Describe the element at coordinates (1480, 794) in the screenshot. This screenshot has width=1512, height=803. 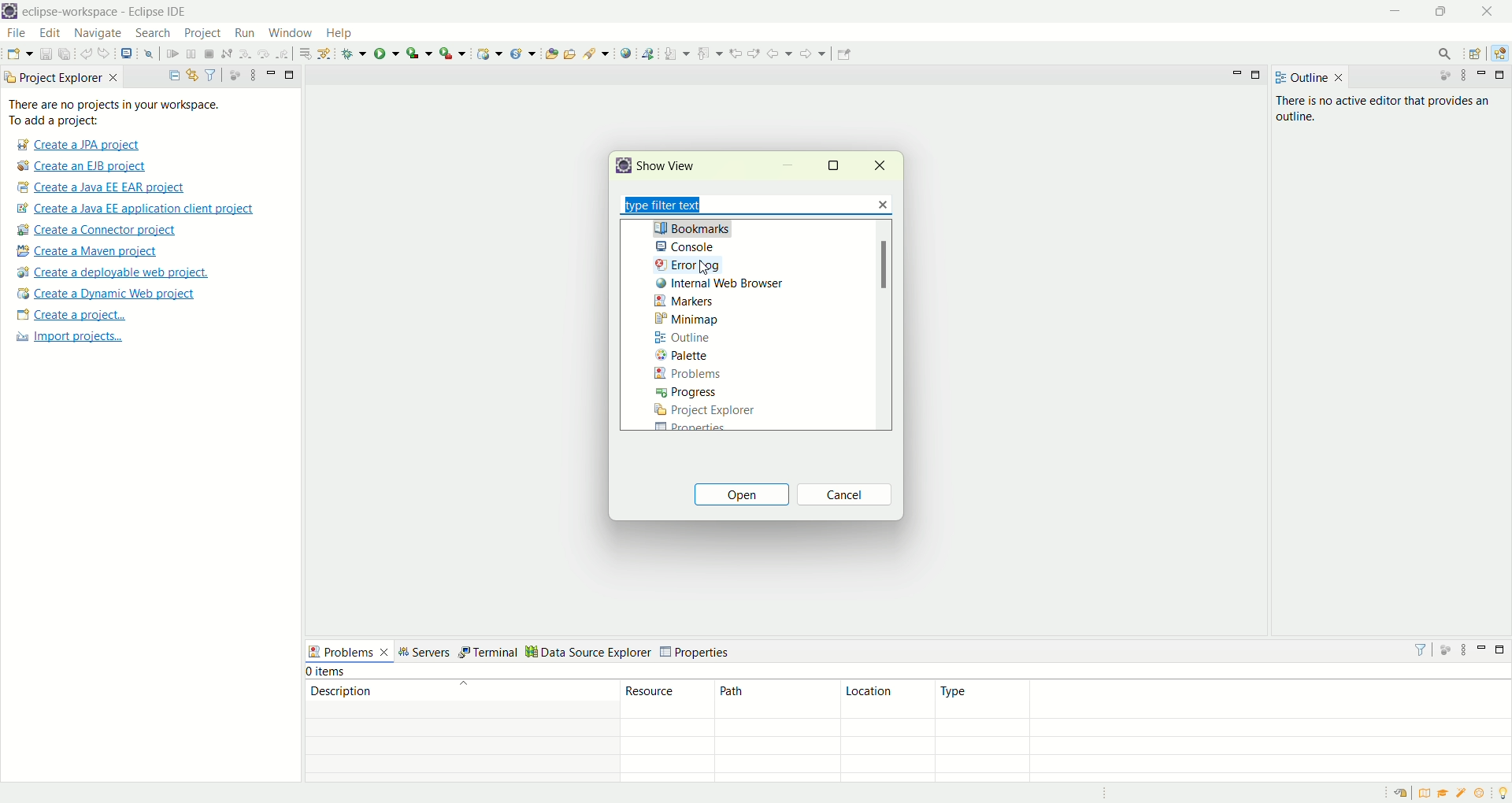
I see `what's new` at that location.